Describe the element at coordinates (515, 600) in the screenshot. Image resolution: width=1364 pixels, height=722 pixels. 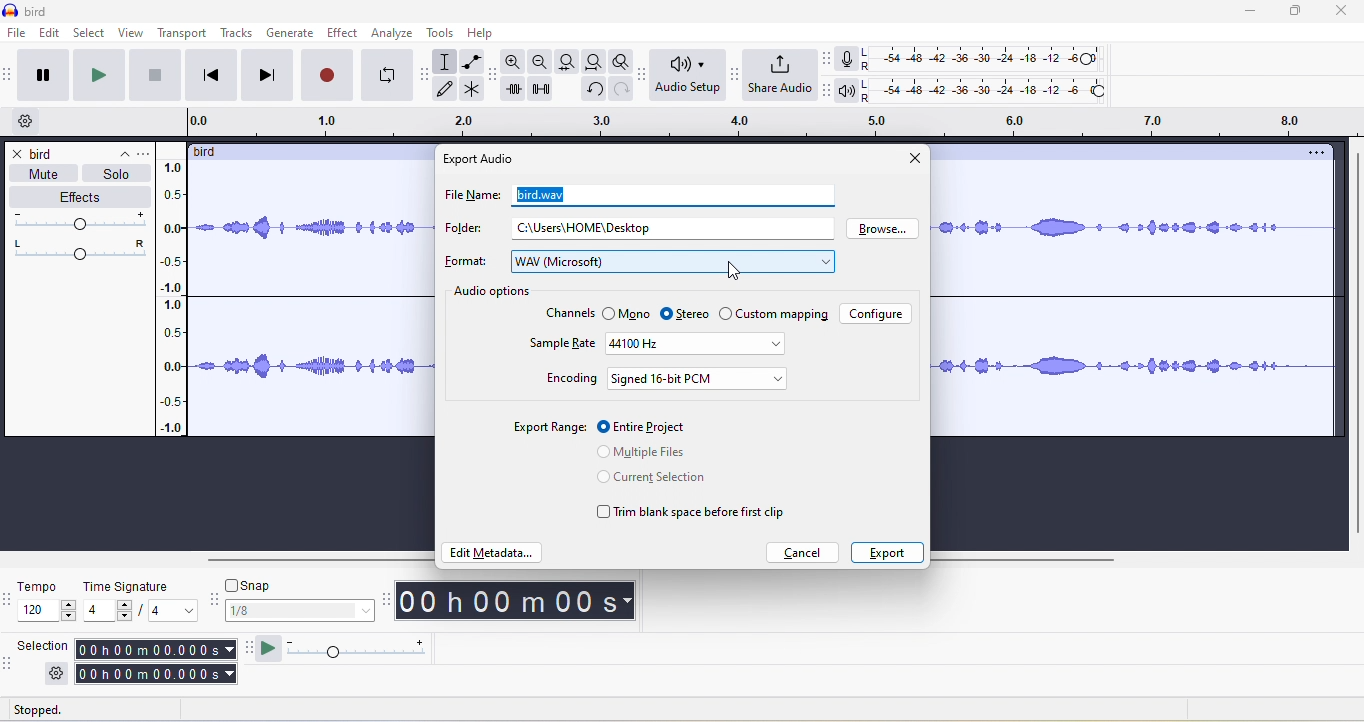
I see `timer` at that location.